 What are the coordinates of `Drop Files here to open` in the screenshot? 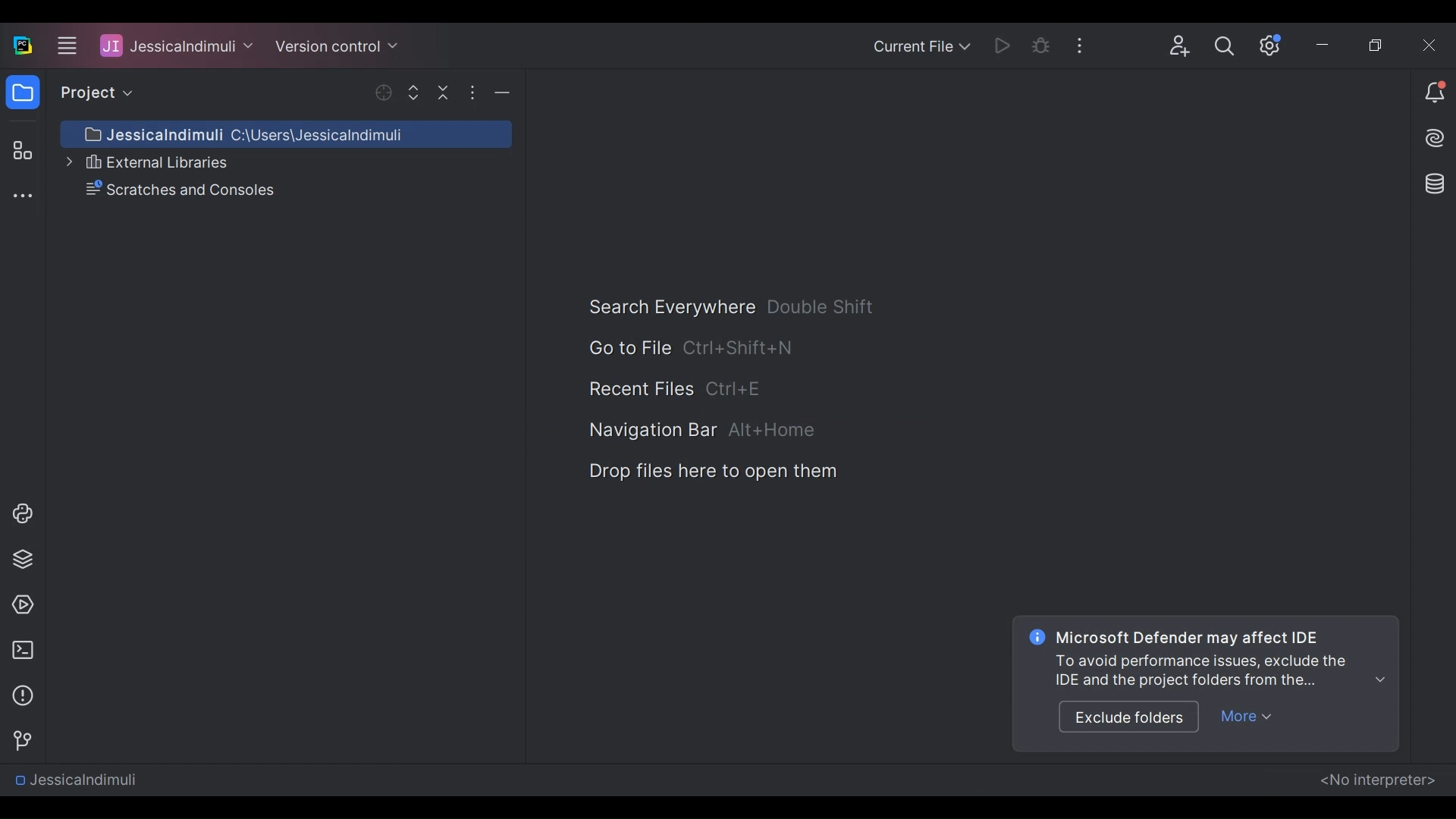 It's located at (712, 472).